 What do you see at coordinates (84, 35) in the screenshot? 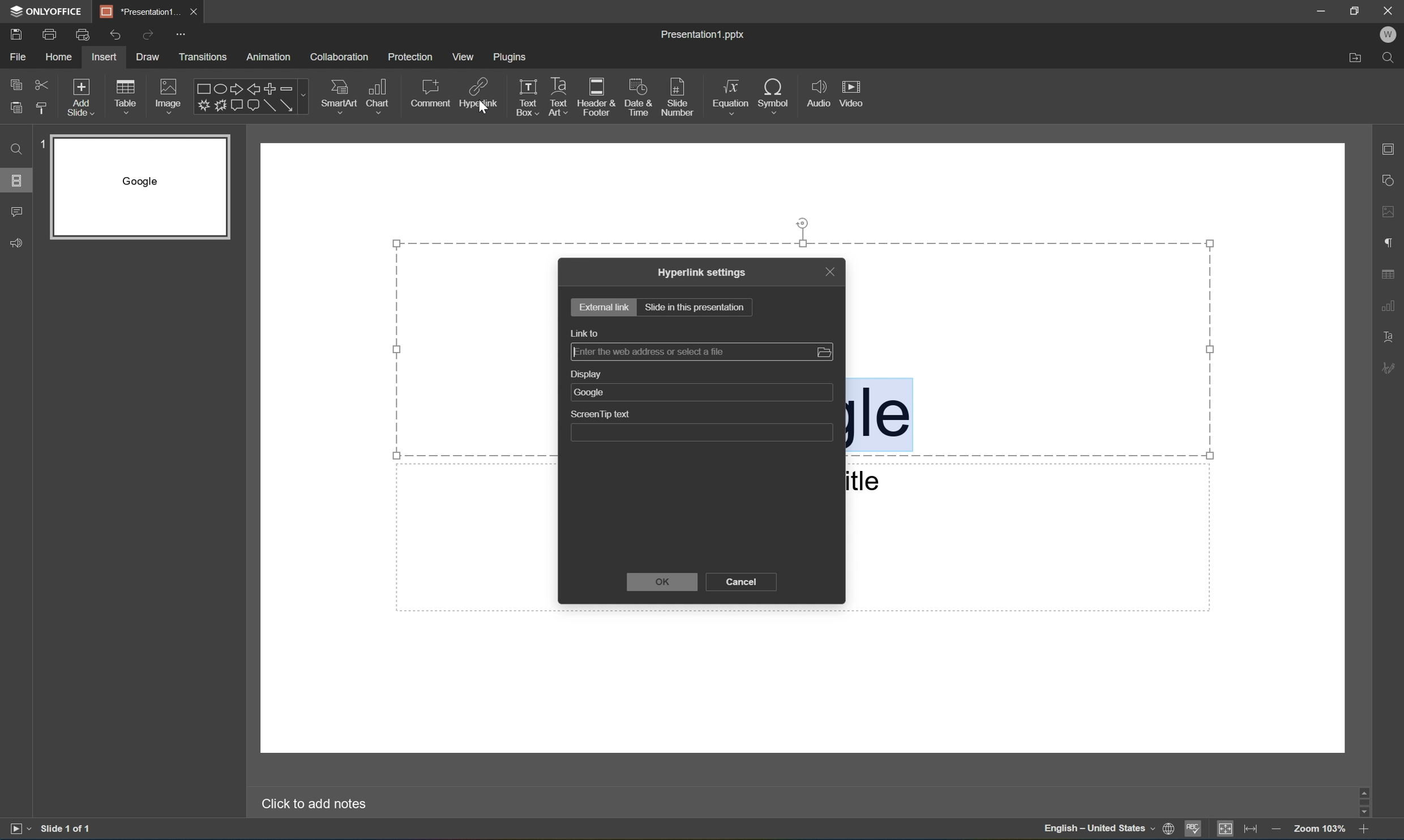
I see `Quick print` at bounding box center [84, 35].